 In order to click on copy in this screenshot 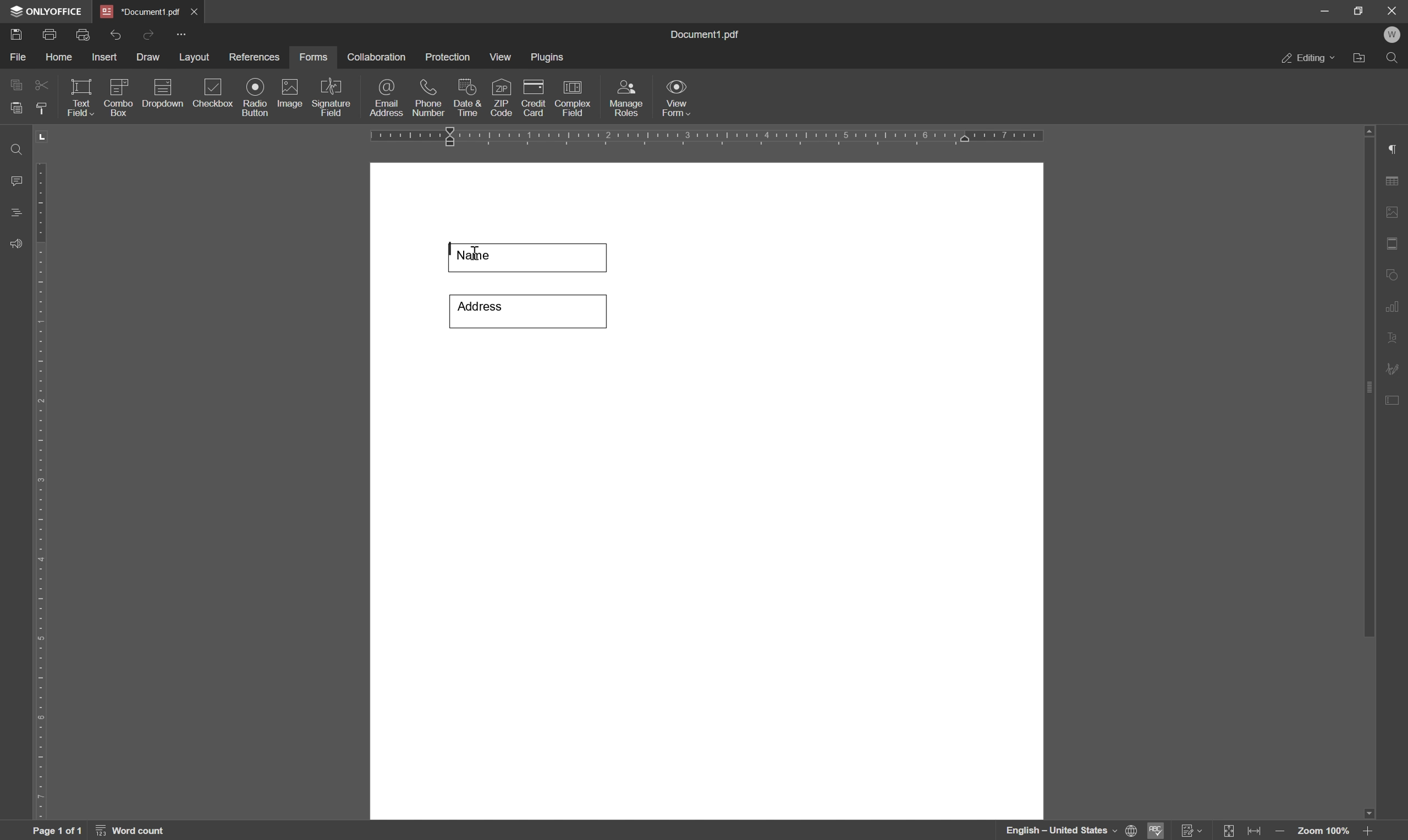, I will do `click(15, 83)`.